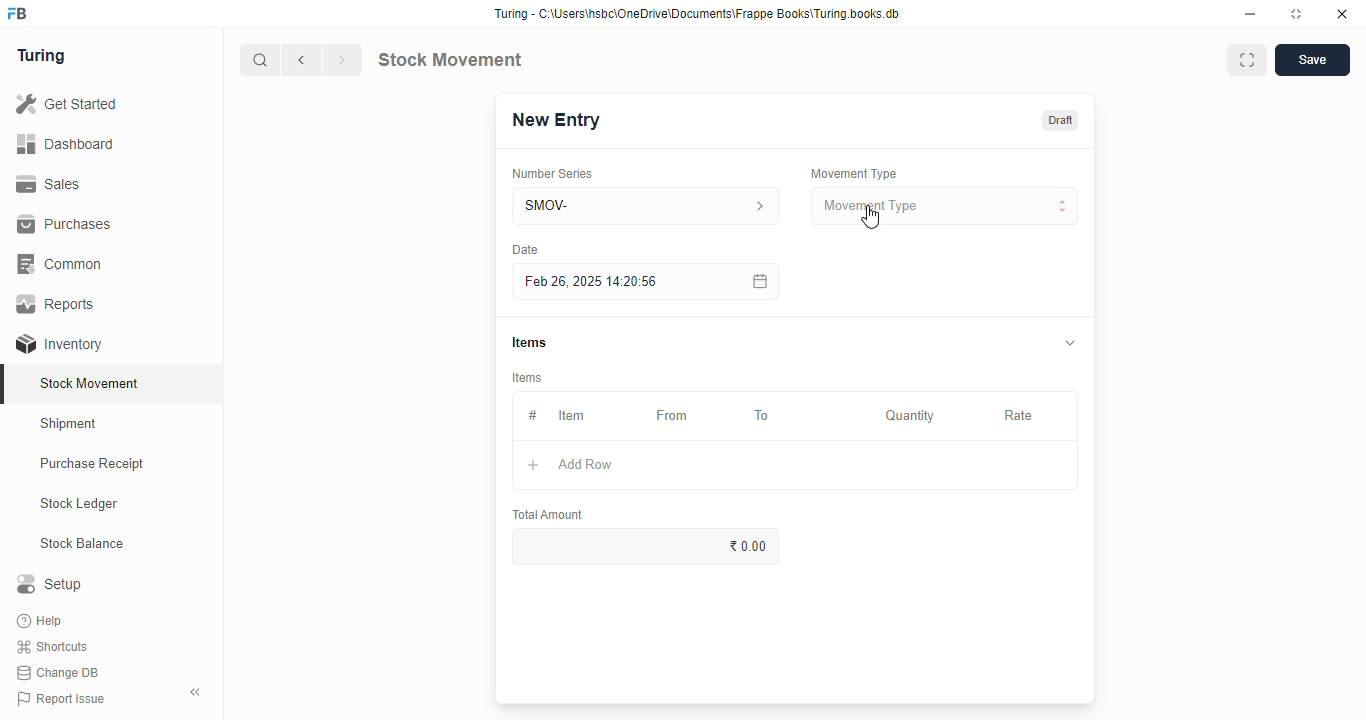  Describe the element at coordinates (302, 60) in the screenshot. I see `previous` at that location.